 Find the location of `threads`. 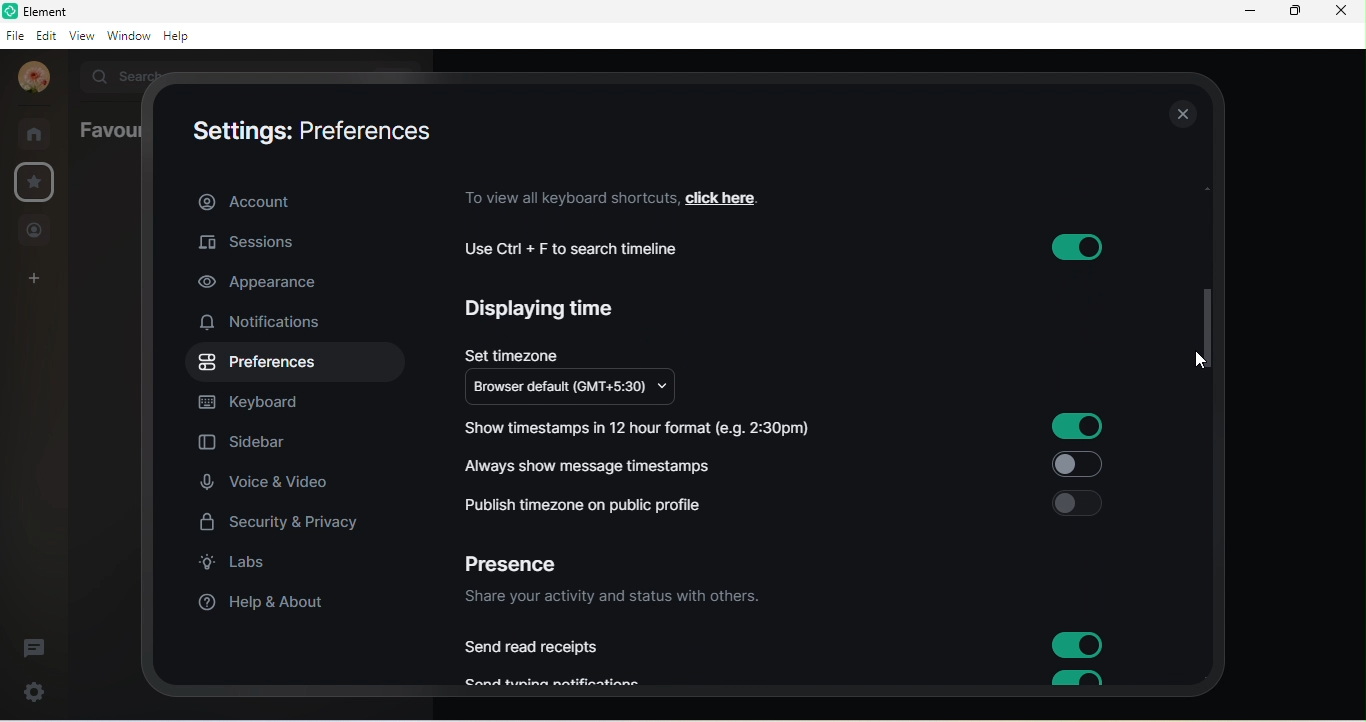

threads is located at coordinates (41, 642).